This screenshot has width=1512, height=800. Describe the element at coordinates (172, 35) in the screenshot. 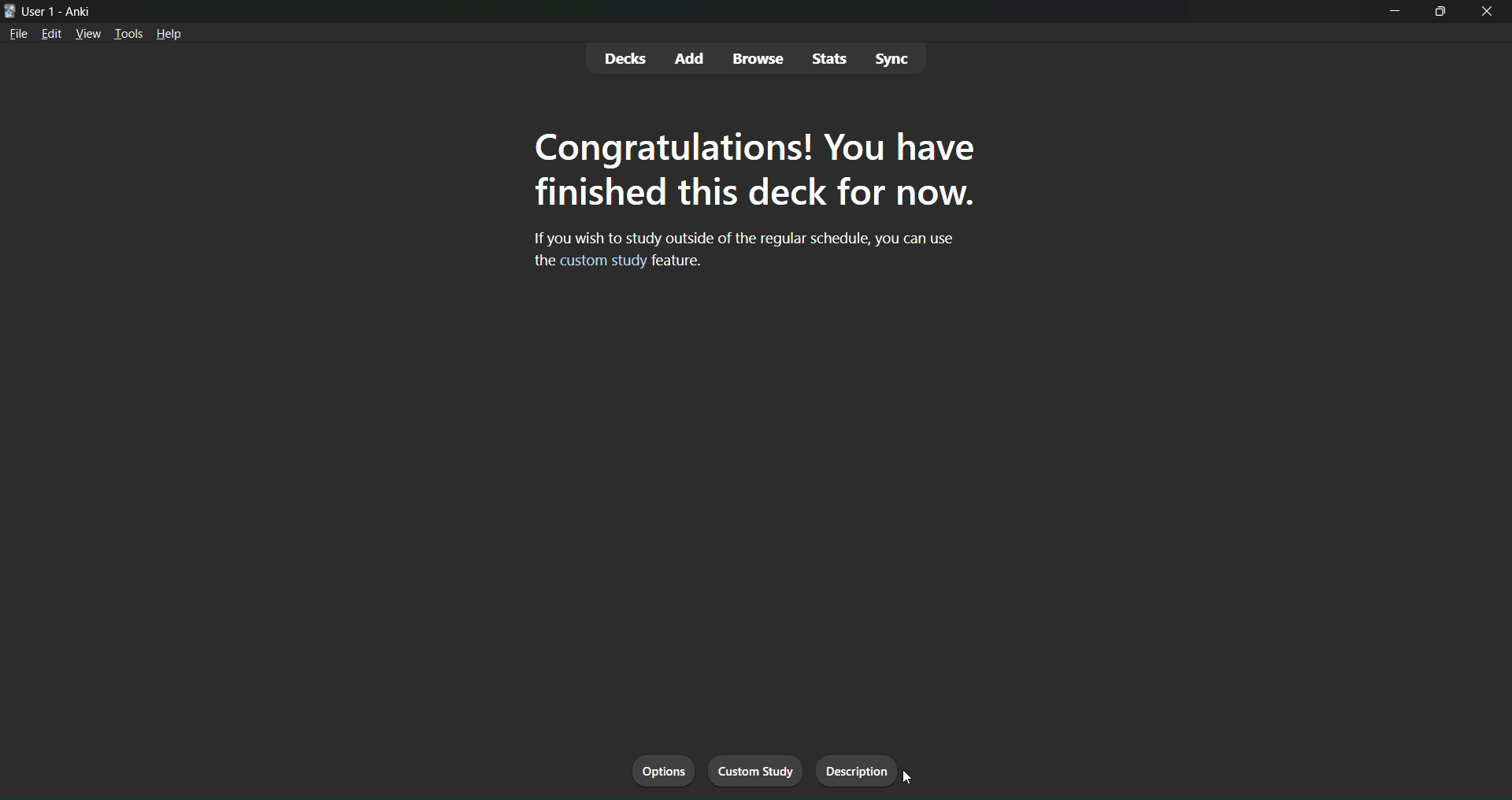

I see `help` at that location.